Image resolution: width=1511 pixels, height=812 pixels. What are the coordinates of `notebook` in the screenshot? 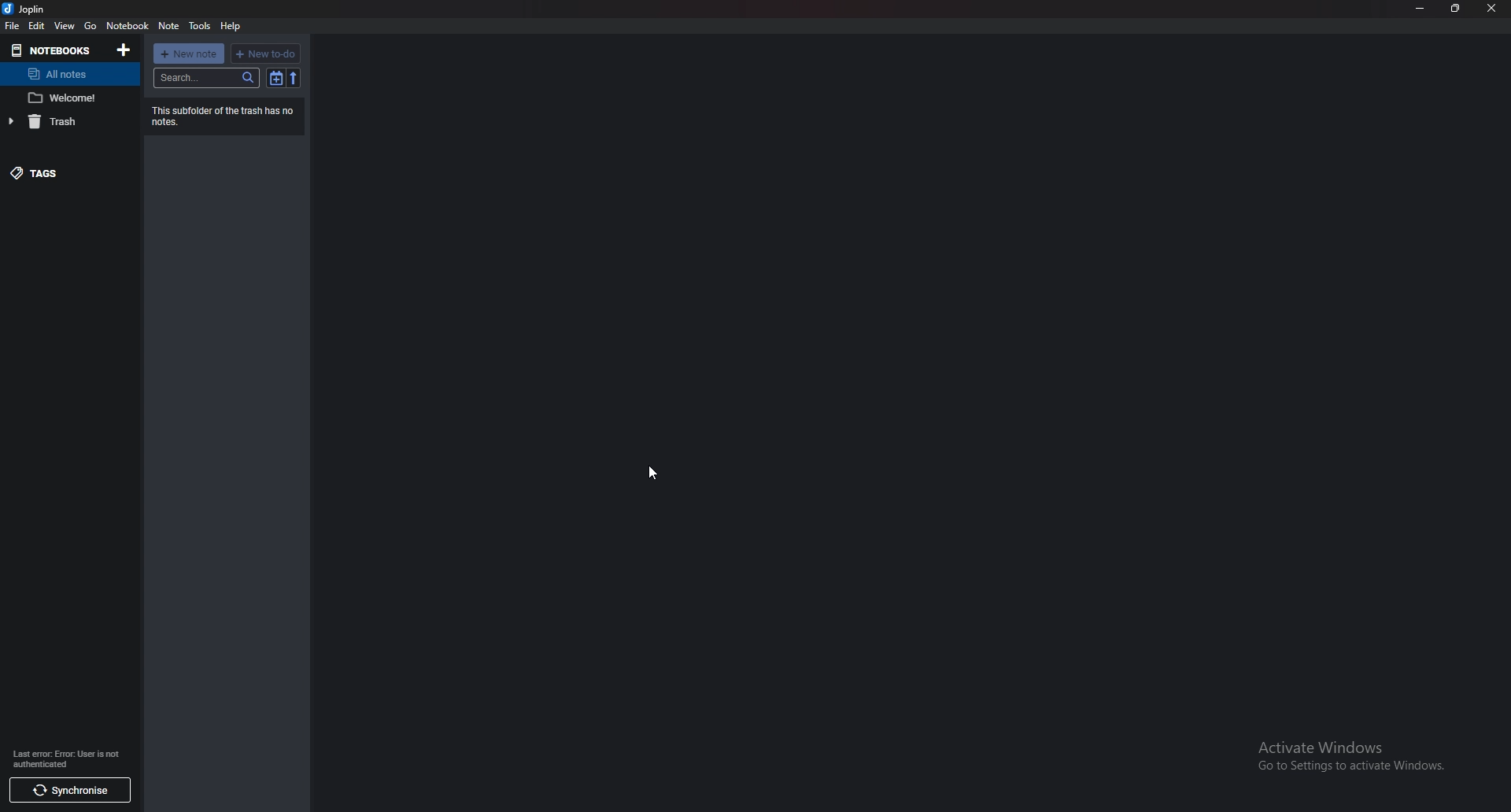 It's located at (129, 26).